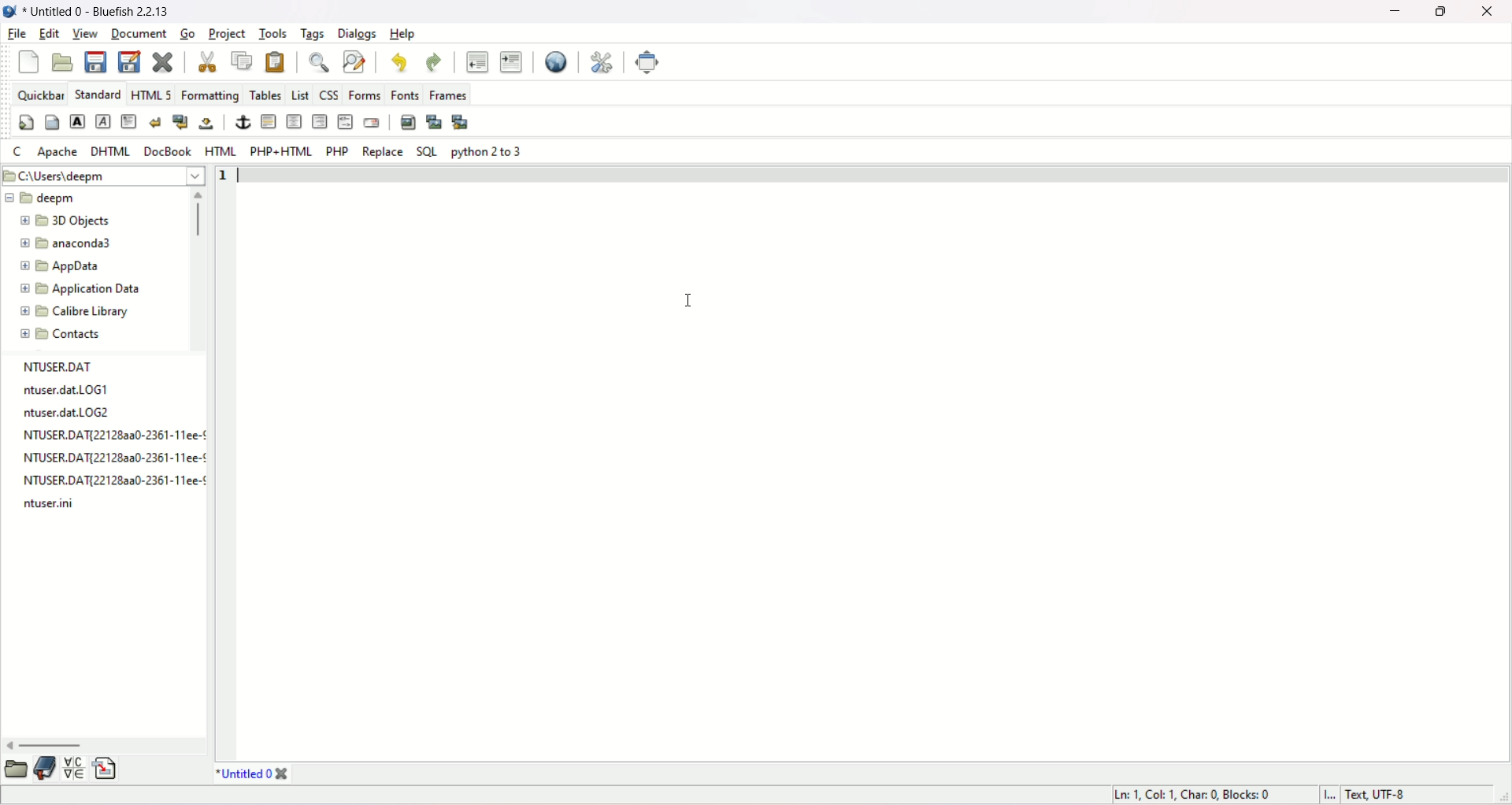 The height and width of the screenshot is (805, 1512). What do you see at coordinates (1398, 11) in the screenshot?
I see `minimize` at bounding box center [1398, 11].